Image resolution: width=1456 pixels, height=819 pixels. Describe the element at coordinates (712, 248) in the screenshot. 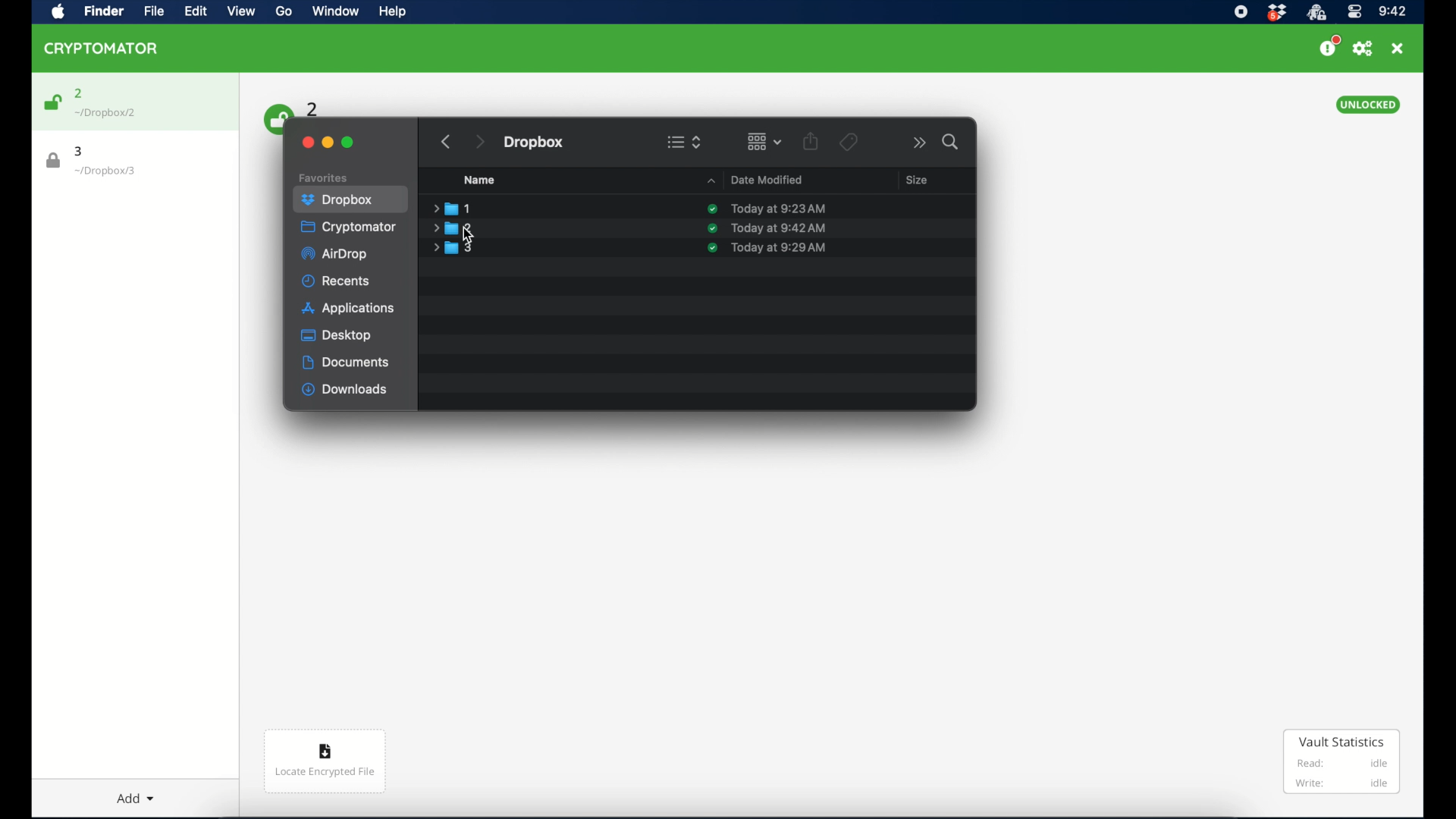

I see `sync` at that location.